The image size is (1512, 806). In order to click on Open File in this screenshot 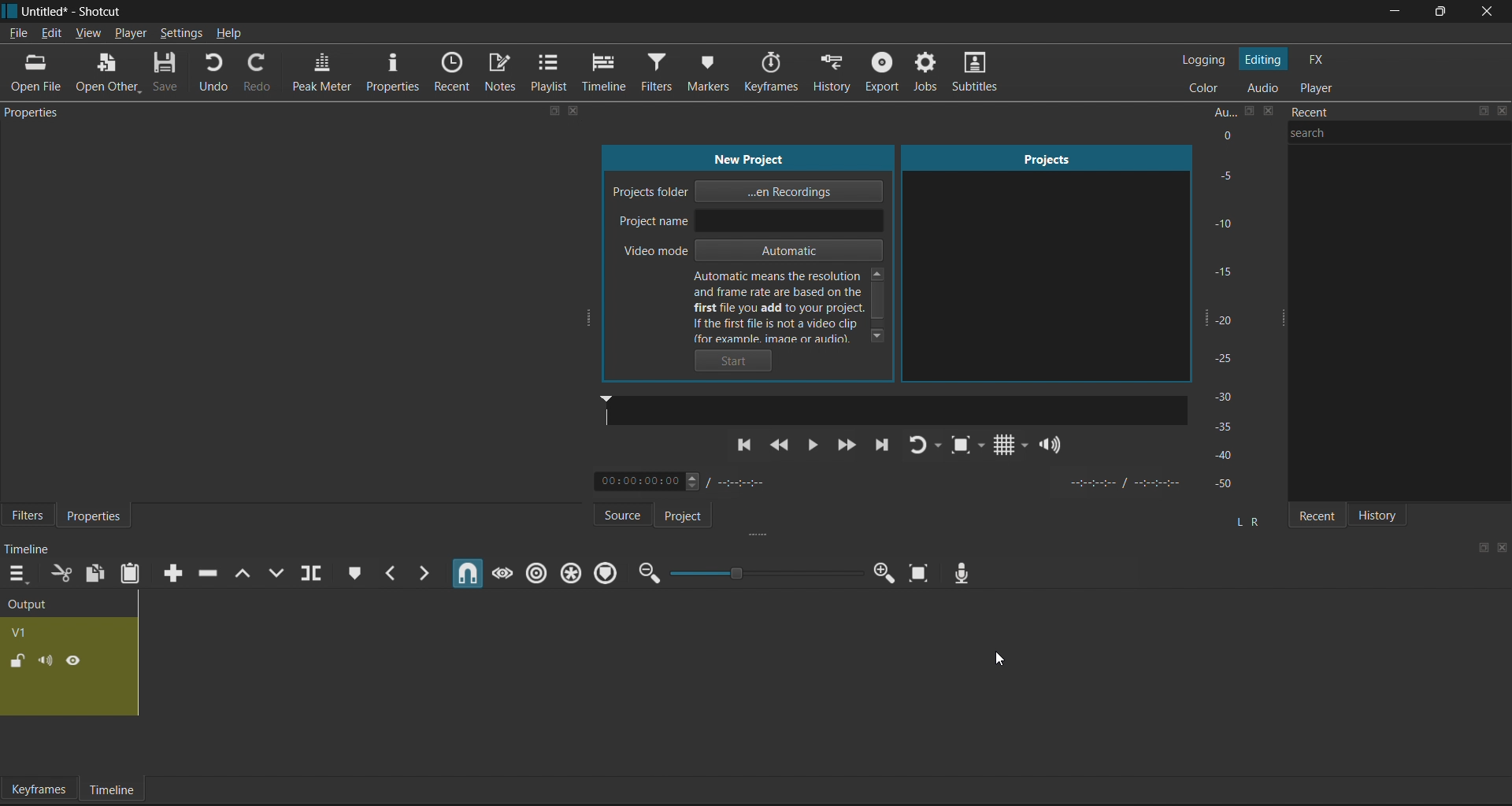, I will do `click(39, 73)`.